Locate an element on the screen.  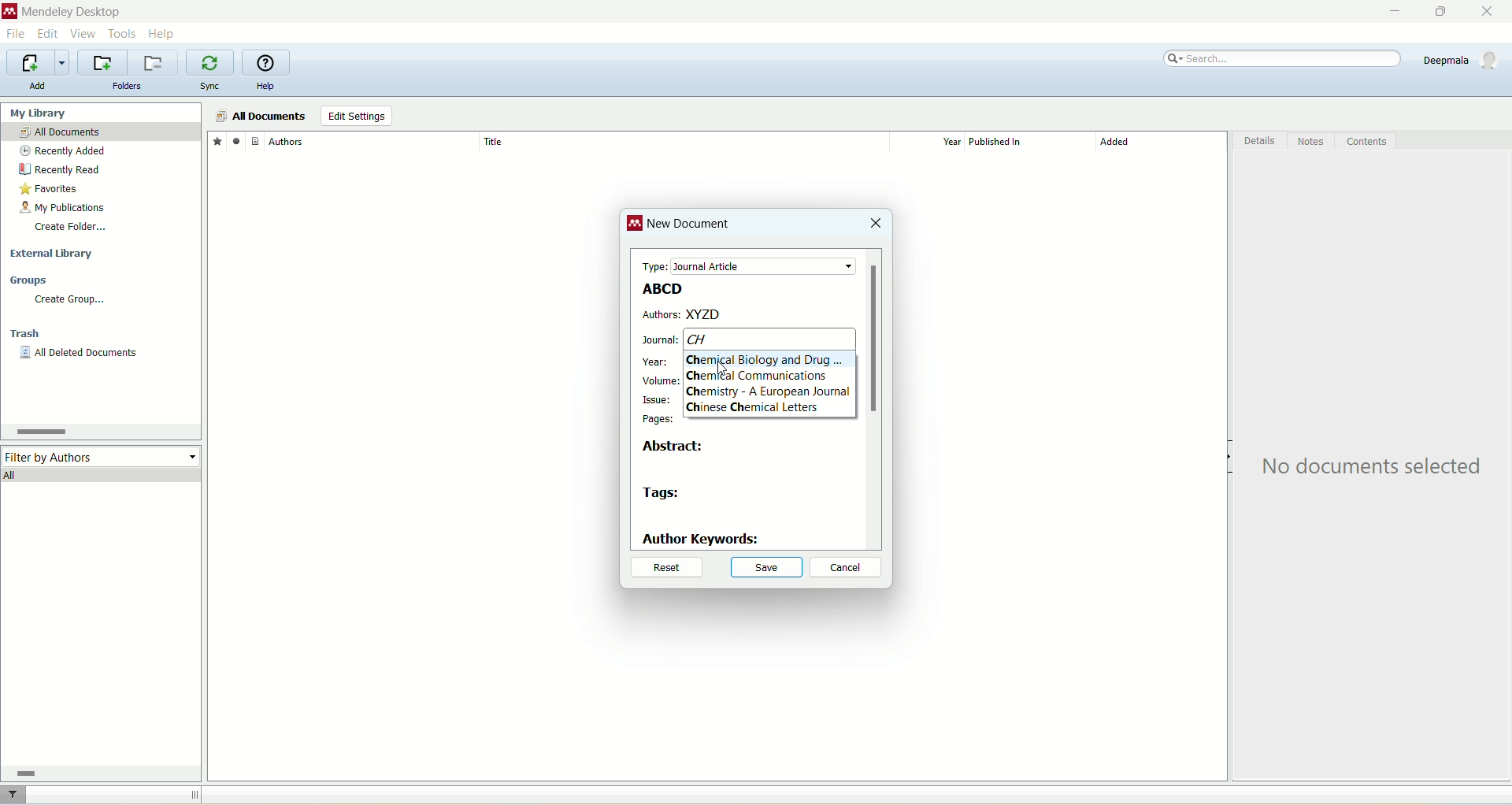
help is located at coordinates (163, 33).